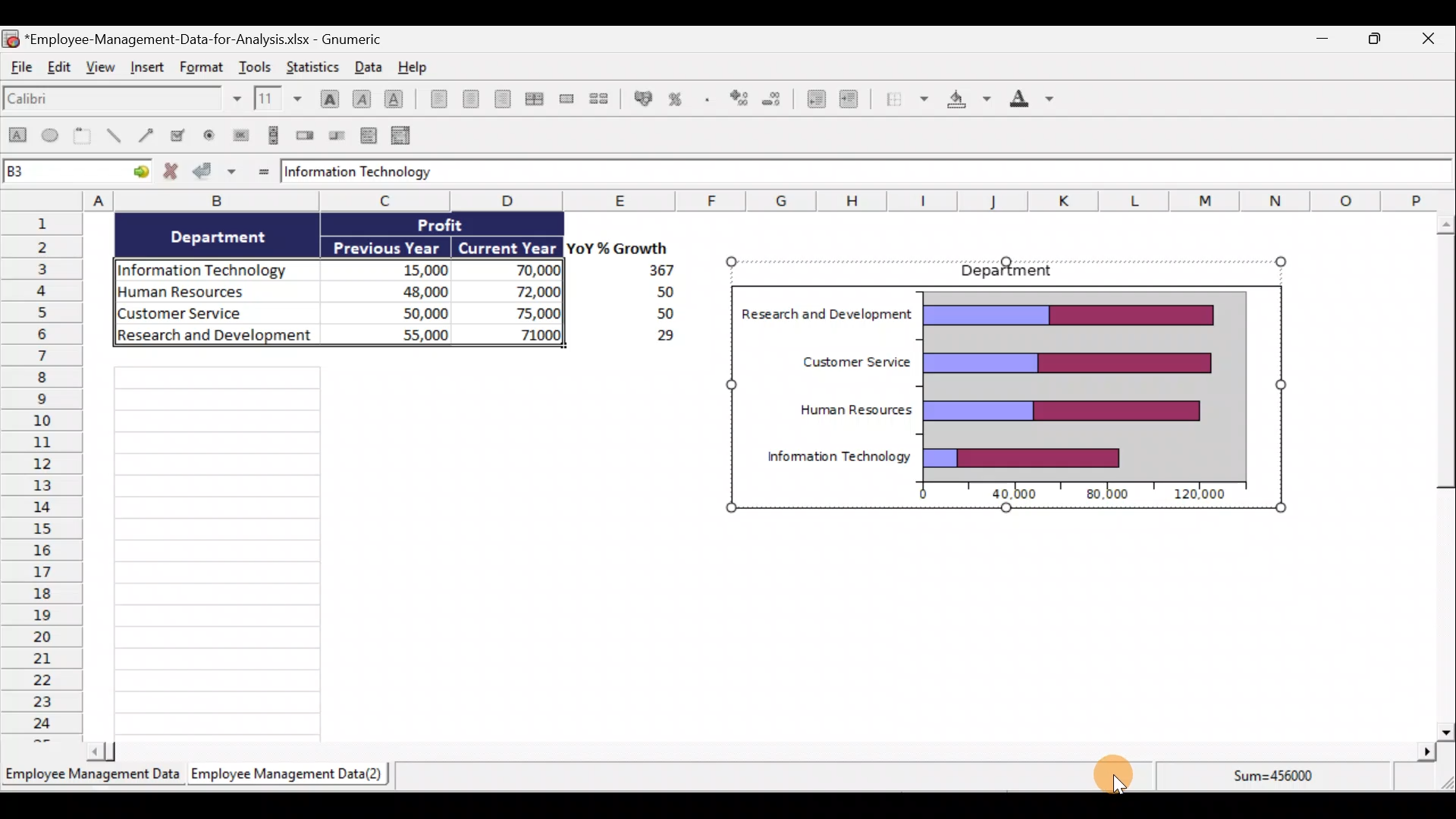 The width and height of the screenshot is (1456, 819). What do you see at coordinates (388, 284) in the screenshot?
I see `Data` at bounding box center [388, 284].